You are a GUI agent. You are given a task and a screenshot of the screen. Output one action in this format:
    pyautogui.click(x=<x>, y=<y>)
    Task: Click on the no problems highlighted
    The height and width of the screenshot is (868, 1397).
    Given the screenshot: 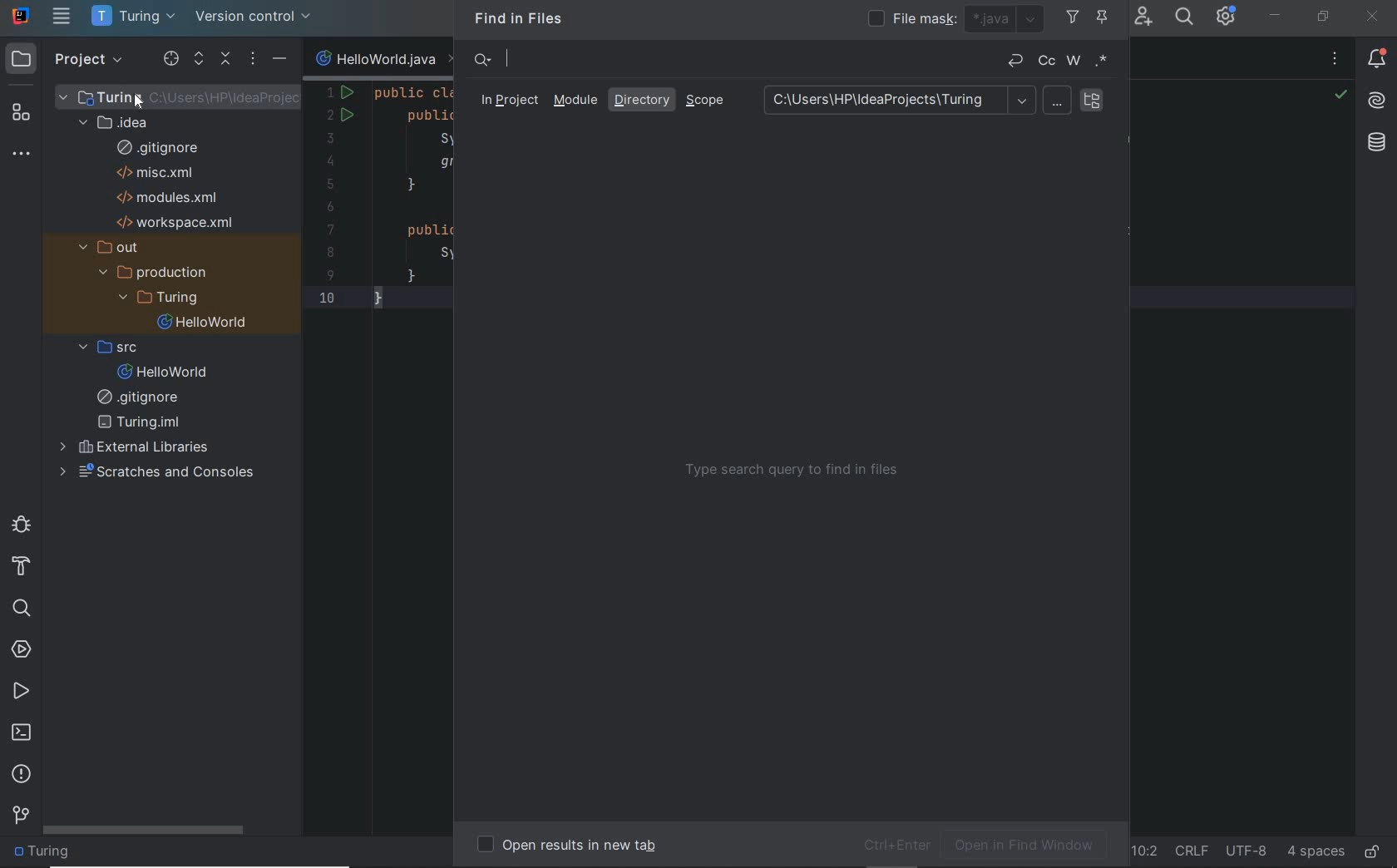 What is the action you would take?
    pyautogui.click(x=1341, y=95)
    